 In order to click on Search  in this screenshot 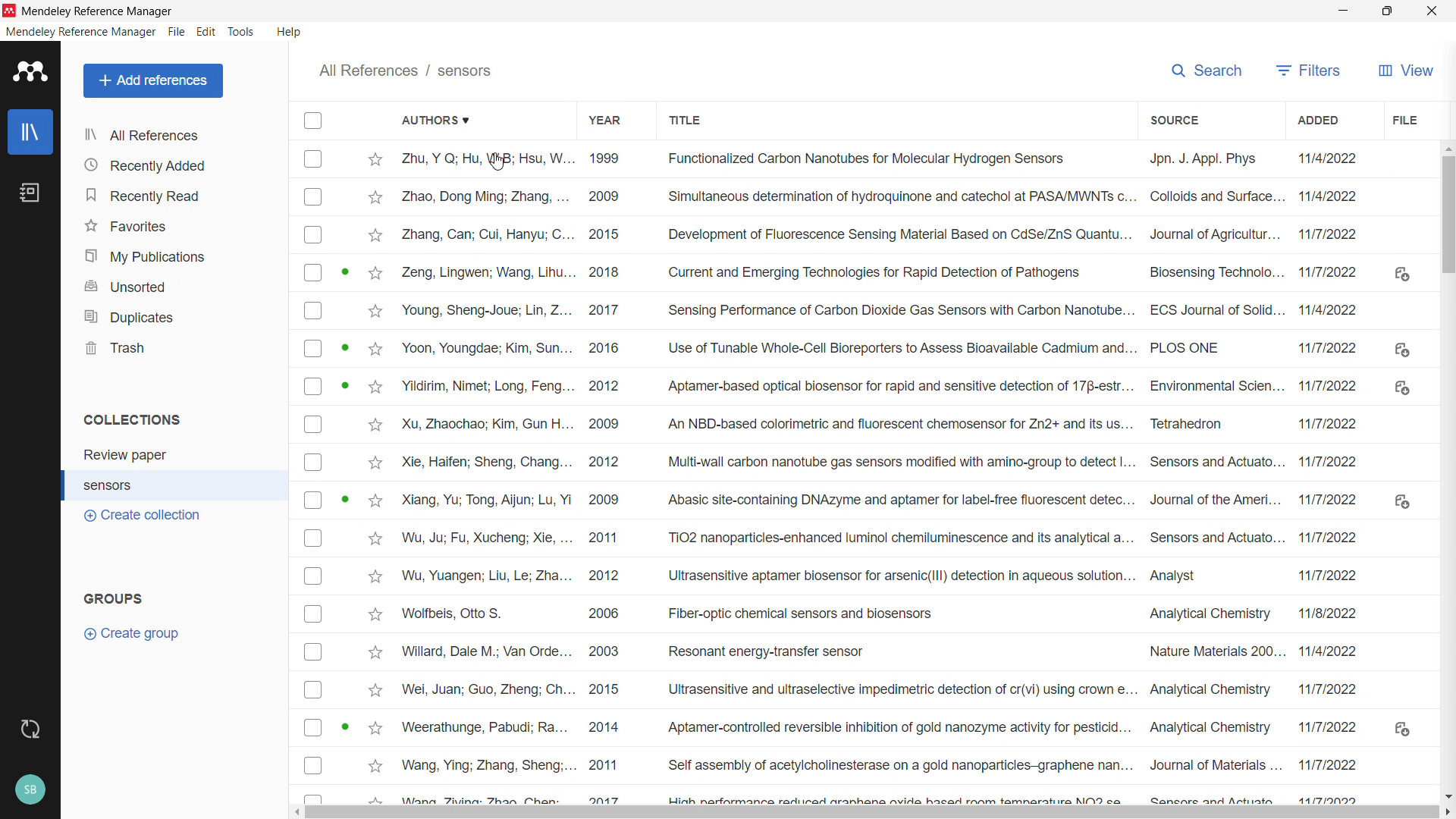, I will do `click(1206, 71)`.